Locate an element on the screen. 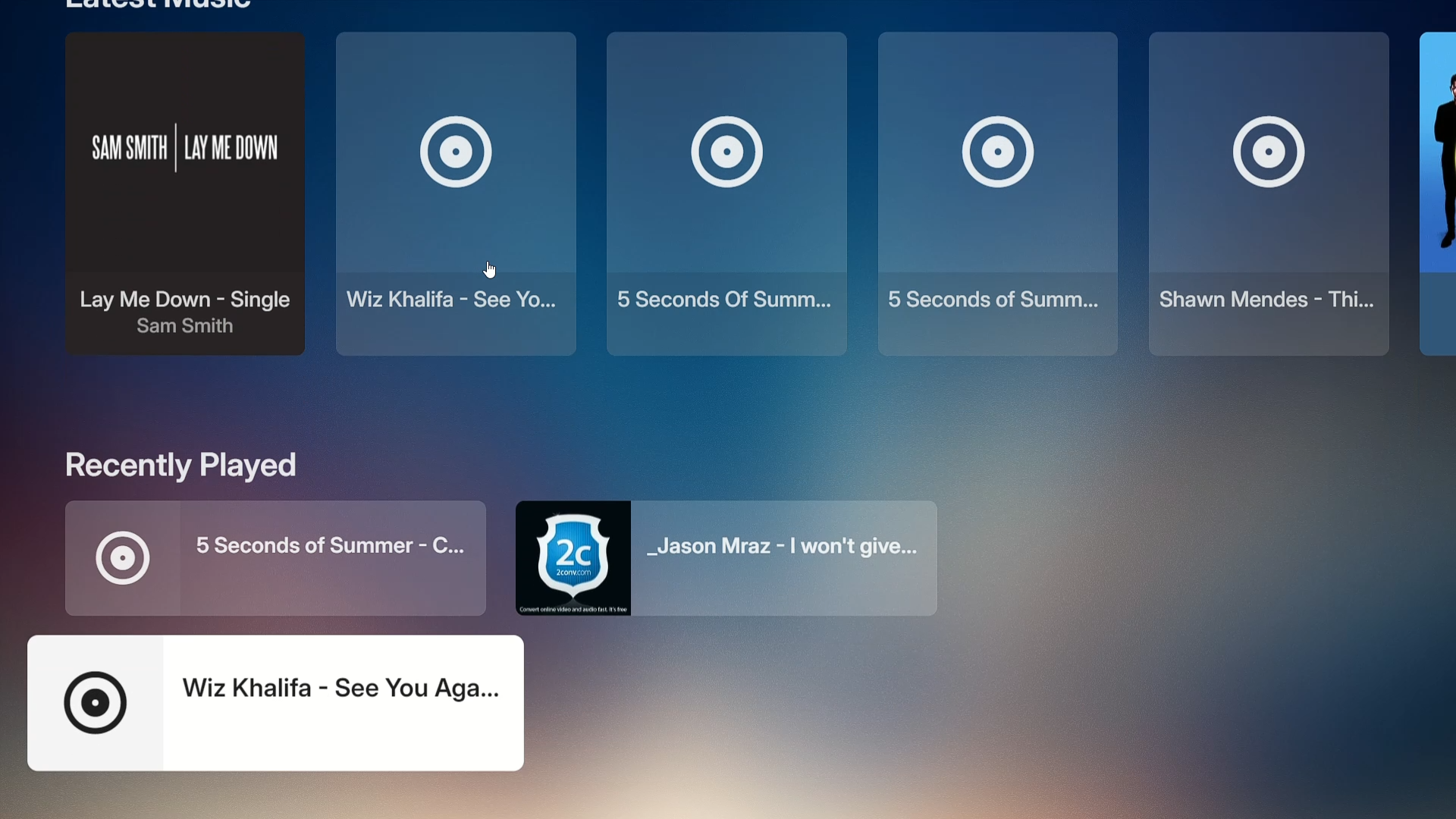 The image size is (1456, 819). Sam Smith is located at coordinates (182, 219).